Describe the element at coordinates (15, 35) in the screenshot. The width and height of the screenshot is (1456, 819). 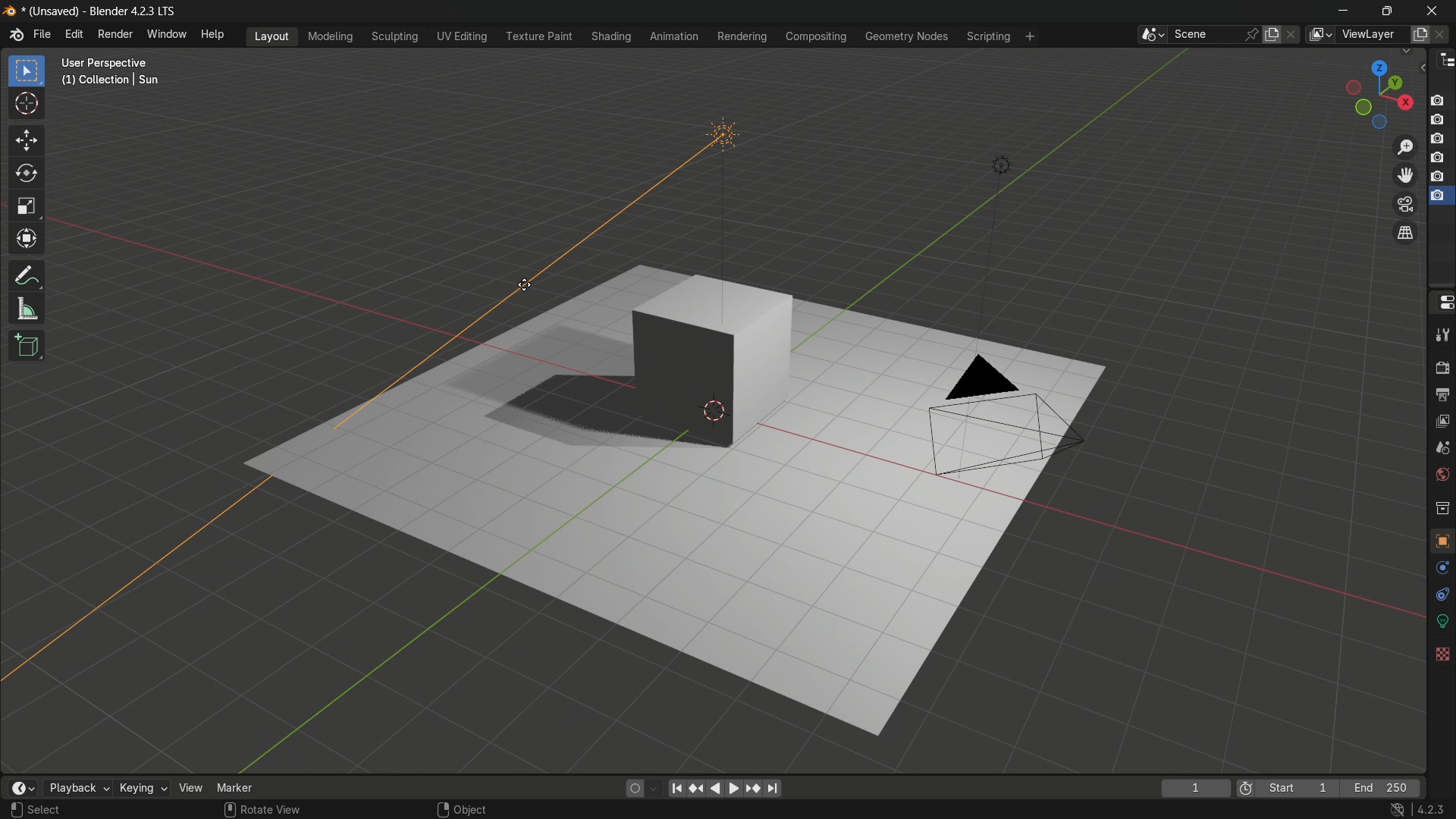
I see `logo` at that location.